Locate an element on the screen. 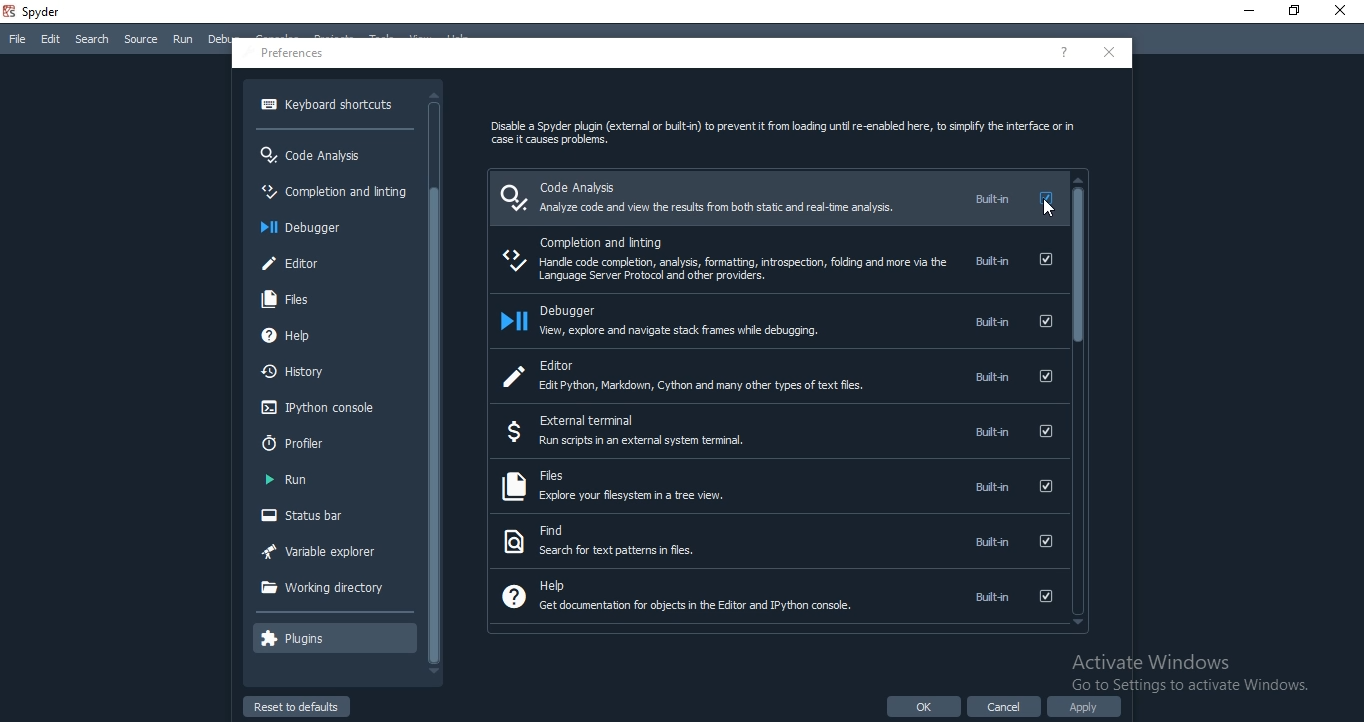 The width and height of the screenshot is (1364, 722). debugger is located at coordinates (329, 226).